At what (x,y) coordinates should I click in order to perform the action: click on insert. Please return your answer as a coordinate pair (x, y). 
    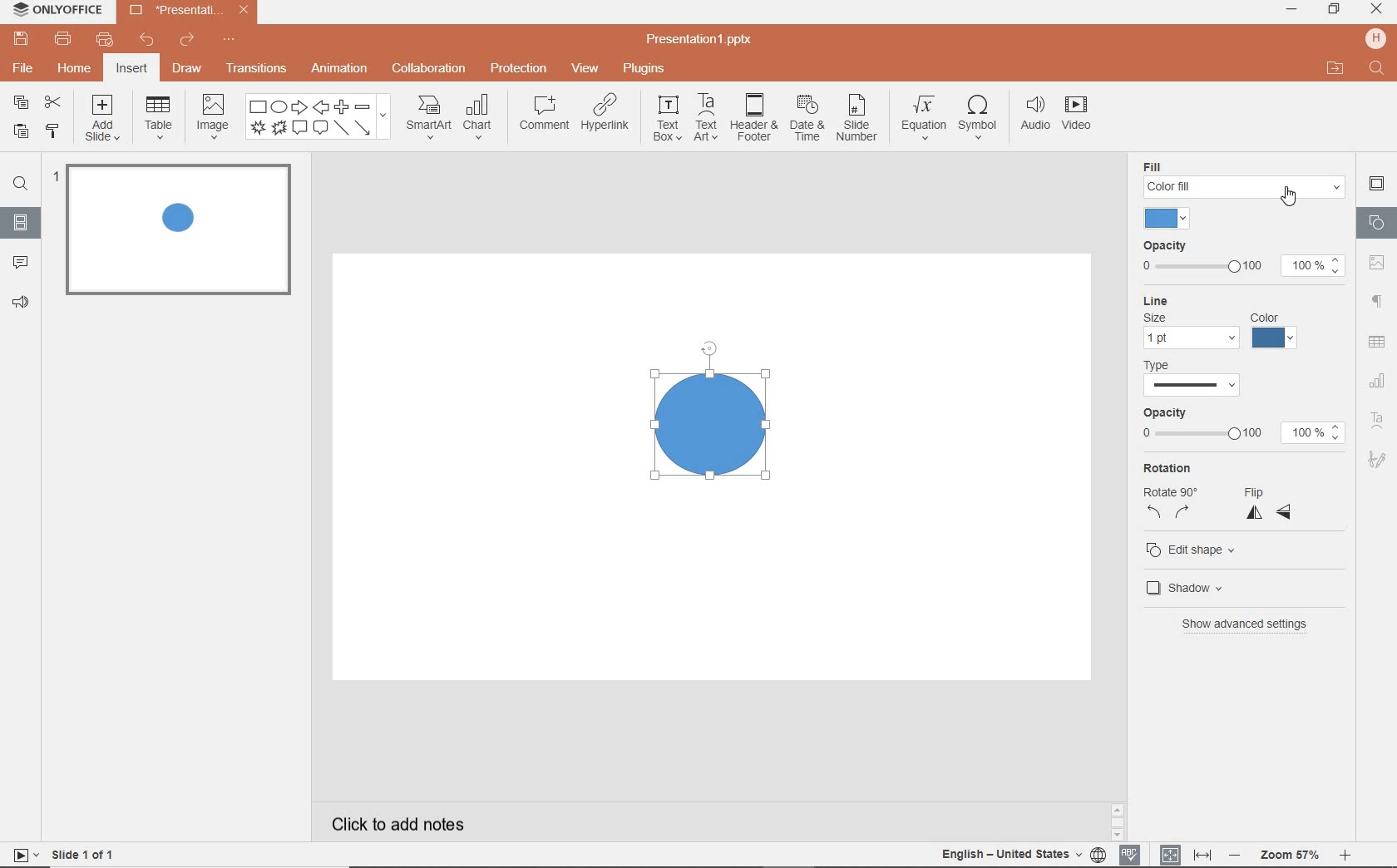
    Looking at the image, I should click on (131, 69).